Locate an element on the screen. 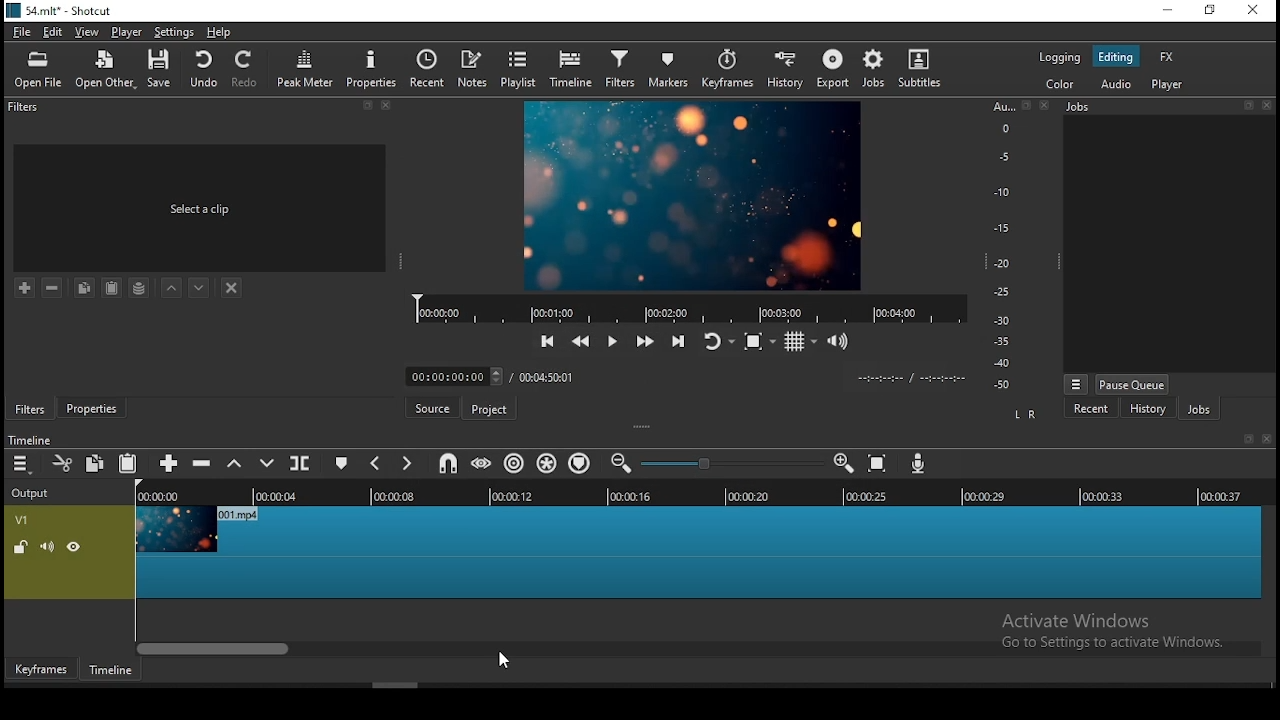 This screenshot has width=1280, height=720. player is located at coordinates (128, 33).